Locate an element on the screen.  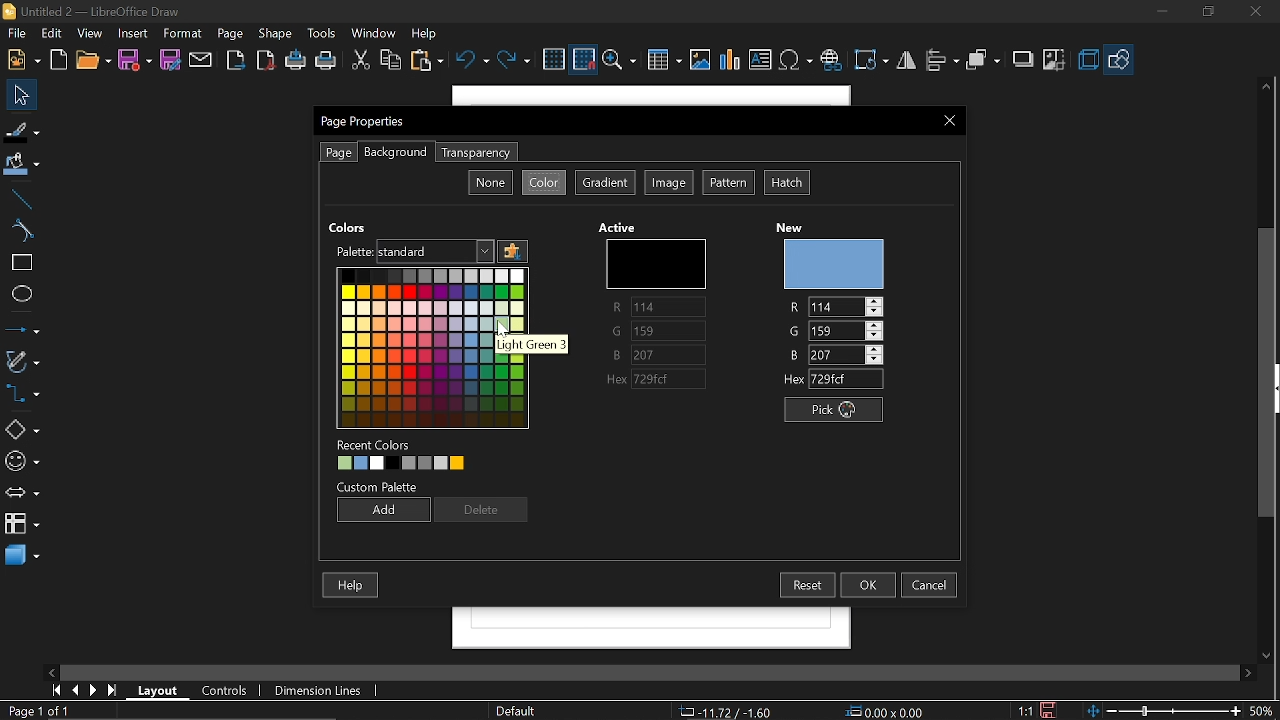
Redo is located at coordinates (514, 62).